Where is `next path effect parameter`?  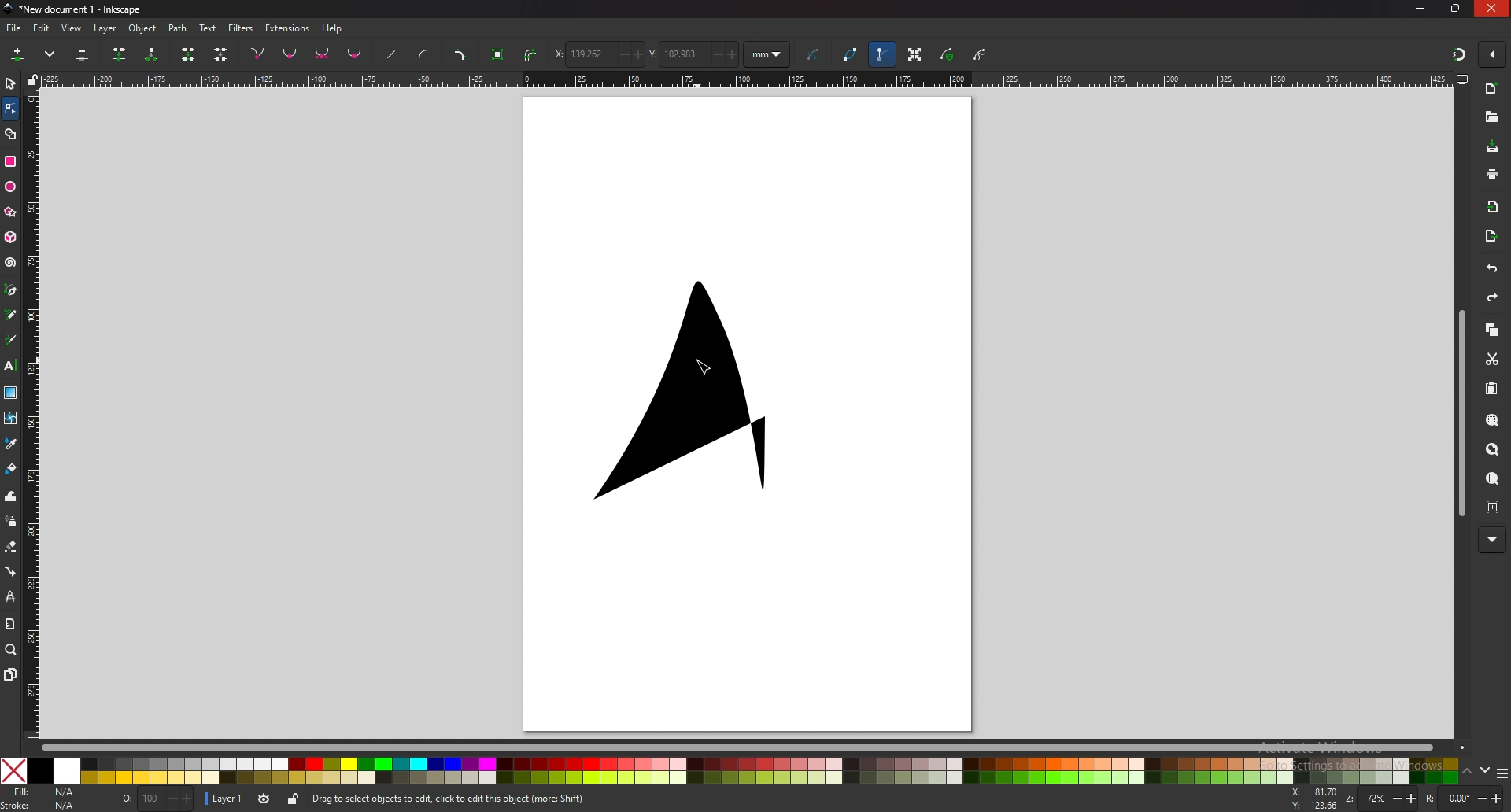
next path effect parameter is located at coordinates (815, 55).